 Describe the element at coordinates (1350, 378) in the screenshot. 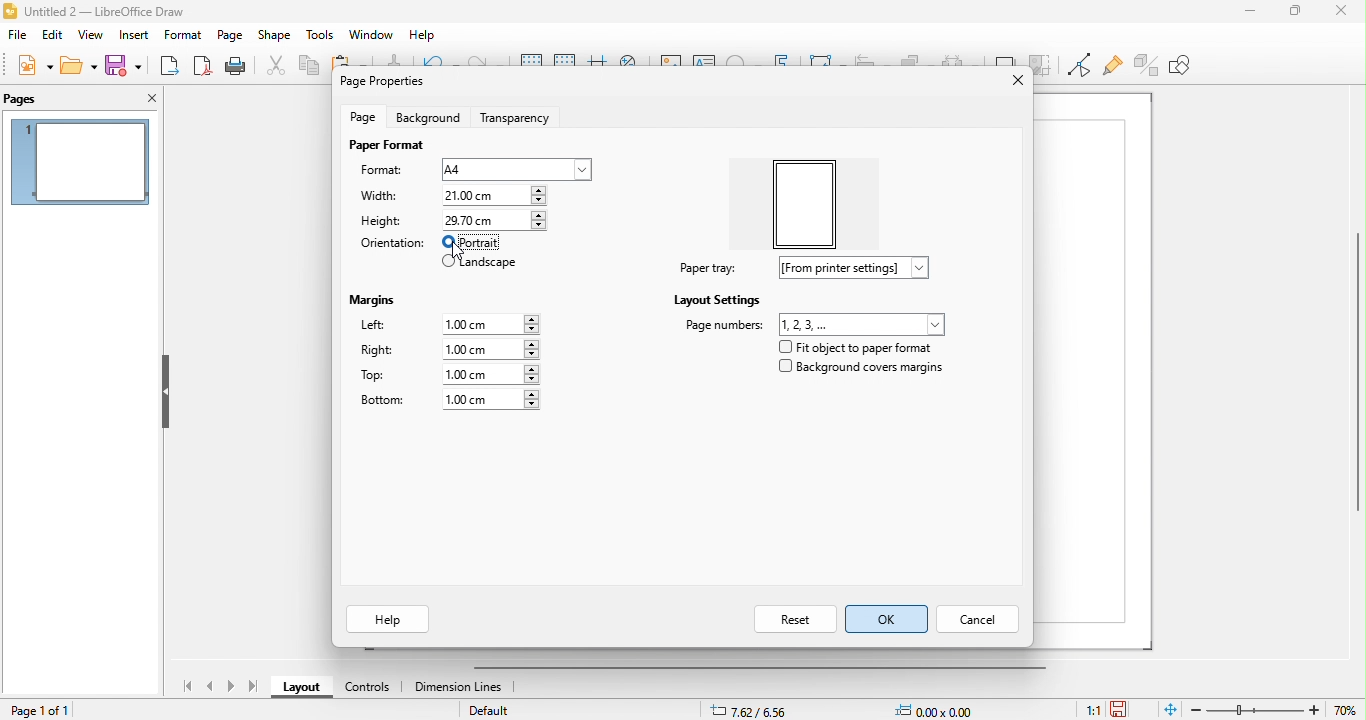

I see `vertical slider` at that location.